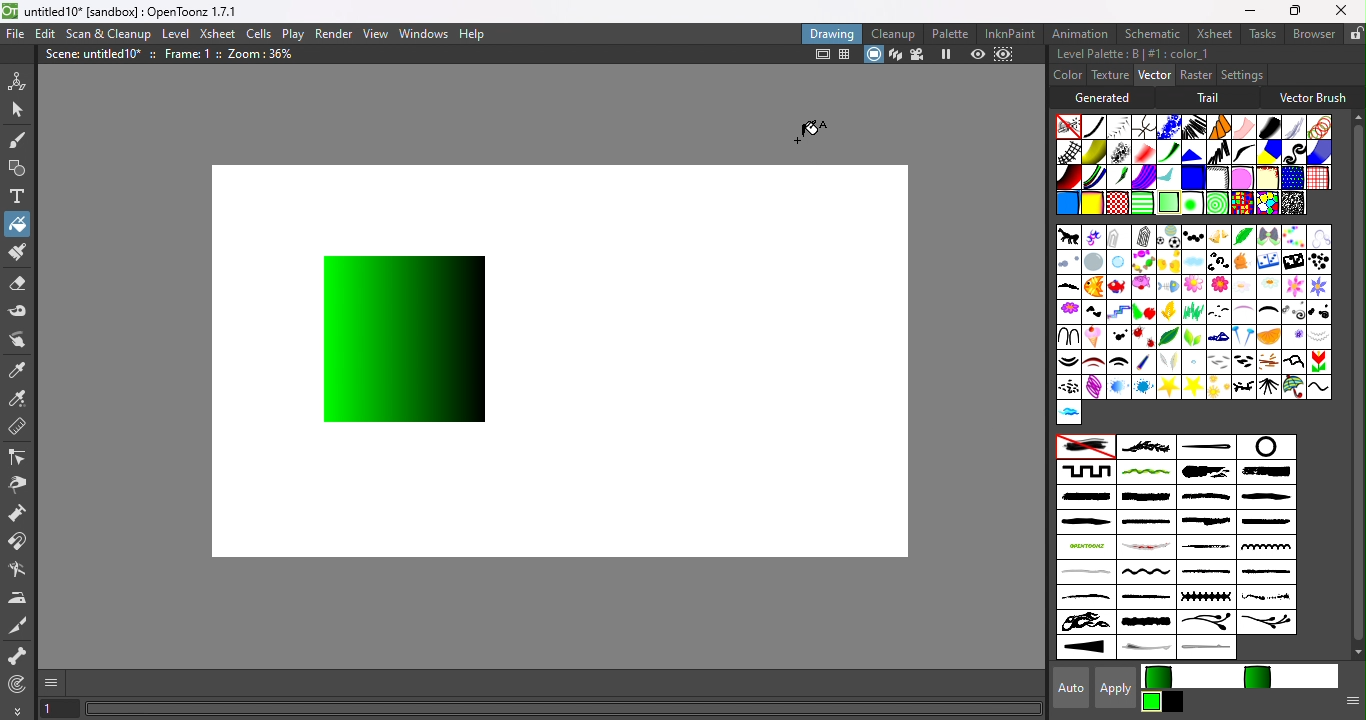 The height and width of the screenshot is (720, 1366). I want to click on Watercolor, so click(1317, 152).